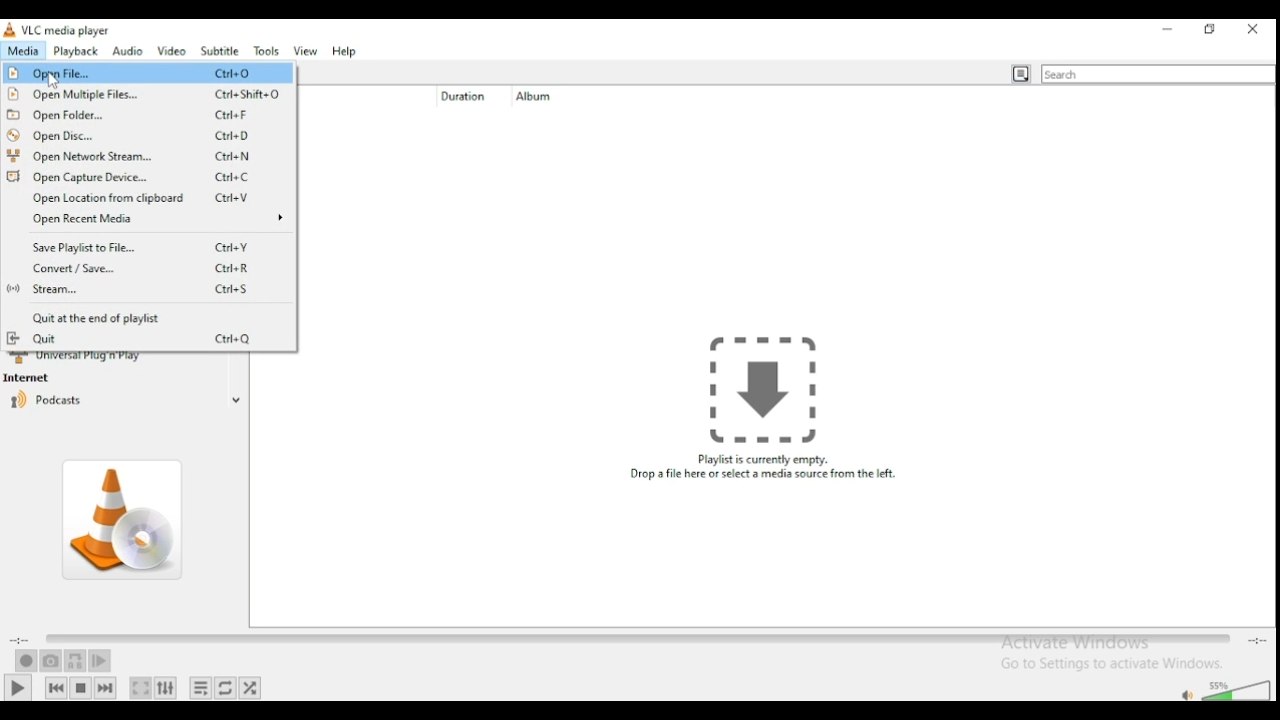 This screenshot has height=720, width=1280. Describe the element at coordinates (147, 116) in the screenshot. I see `open folder` at that location.